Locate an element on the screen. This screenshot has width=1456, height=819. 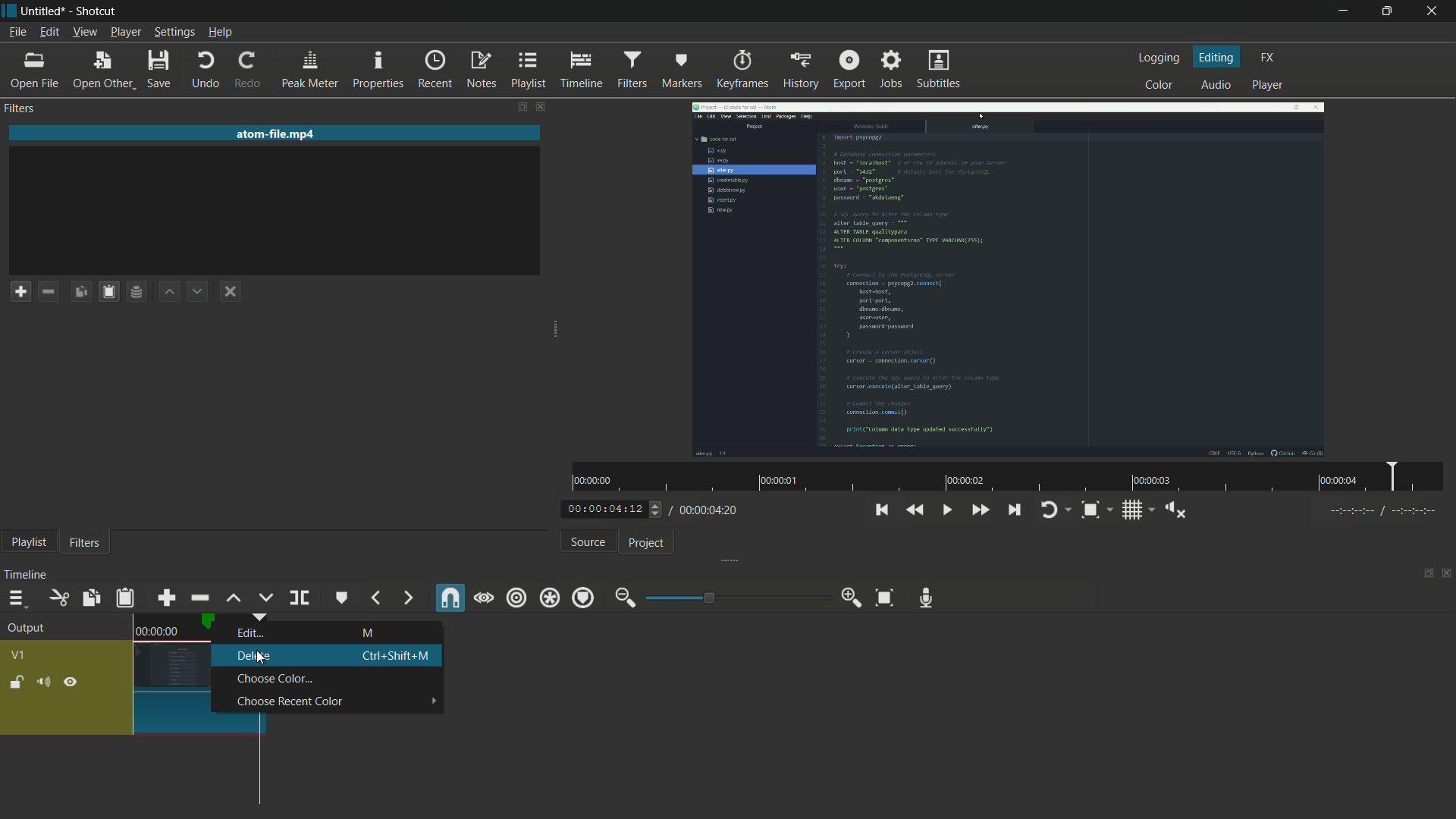
save is located at coordinates (158, 71).